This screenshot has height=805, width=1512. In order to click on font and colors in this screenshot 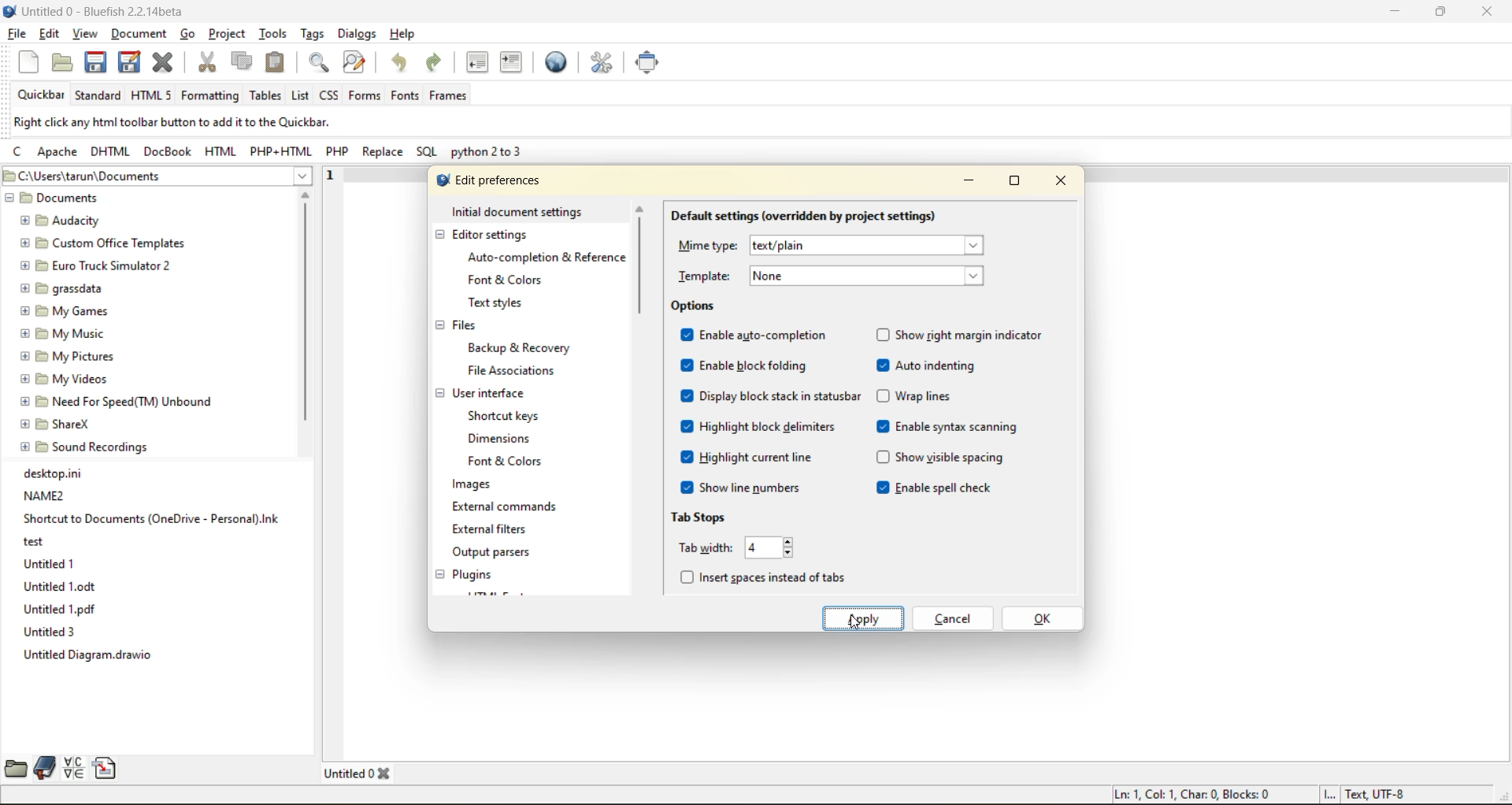, I will do `click(510, 462)`.